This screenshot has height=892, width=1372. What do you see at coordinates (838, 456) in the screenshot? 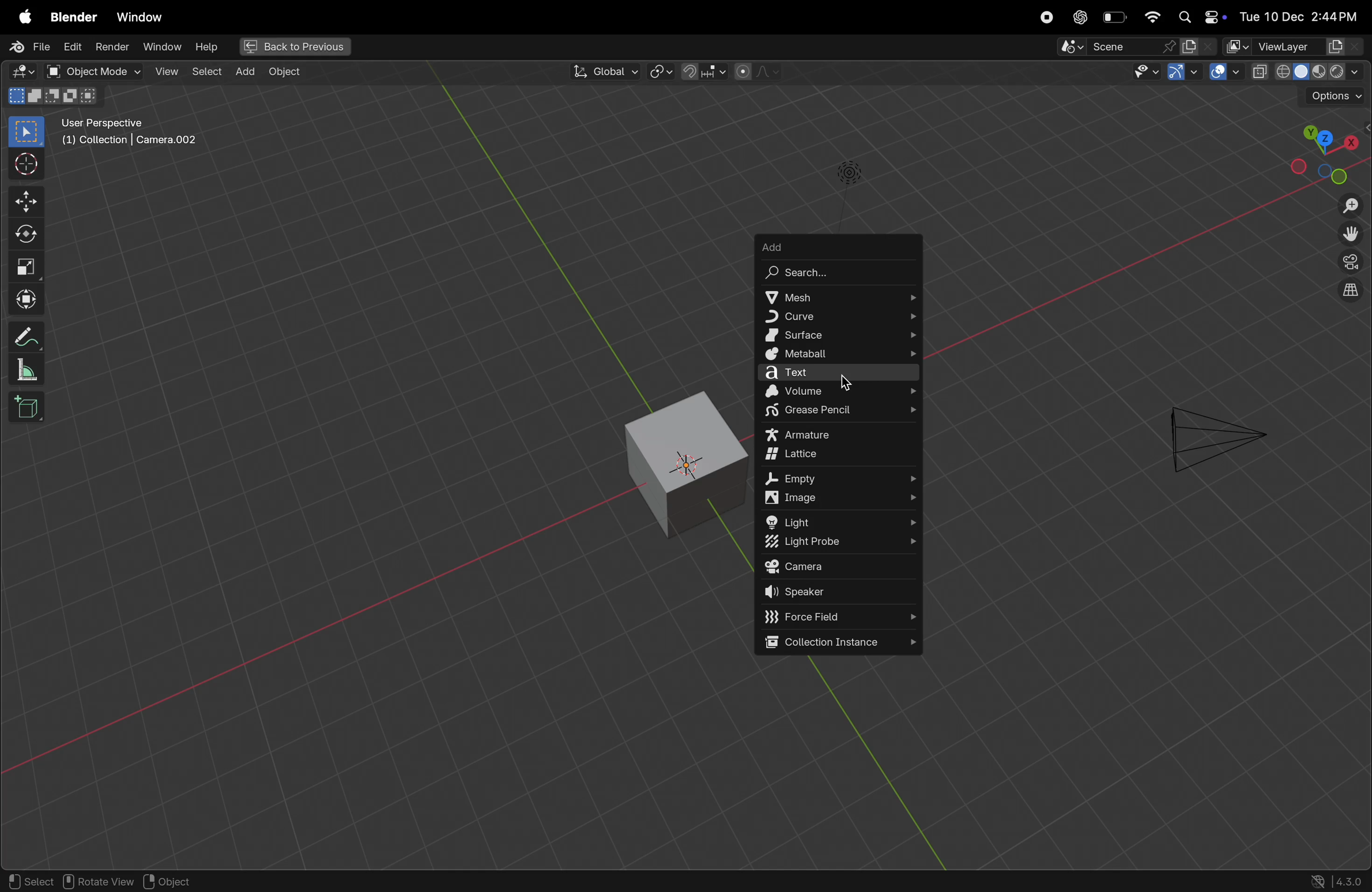
I see `lattice` at bounding box center [838, 456].